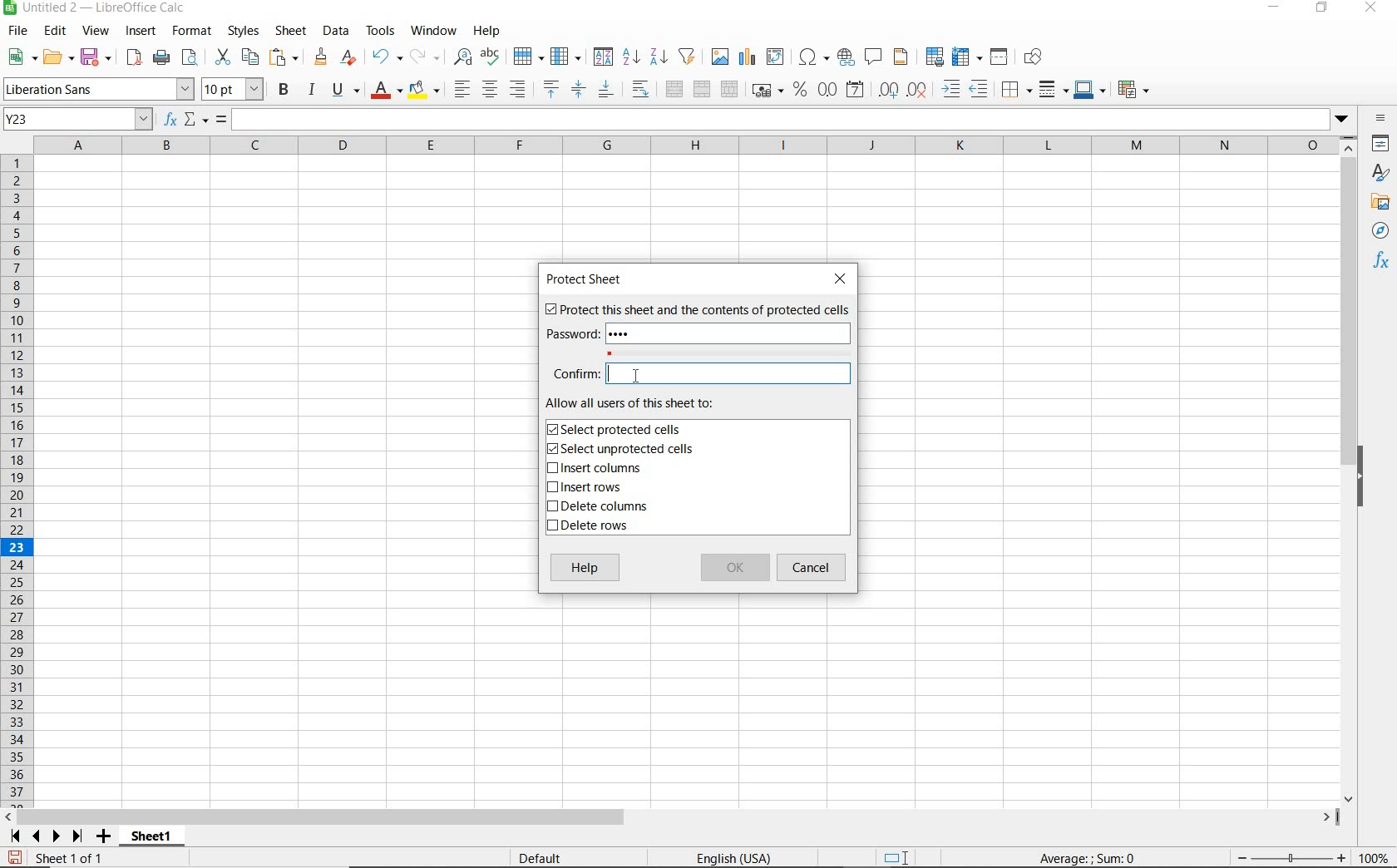 The image size is (1397, 868). What do you see at coordinates (284, 57) in the screenshot?
I see `PASTE` at bounding box center [284, 57].